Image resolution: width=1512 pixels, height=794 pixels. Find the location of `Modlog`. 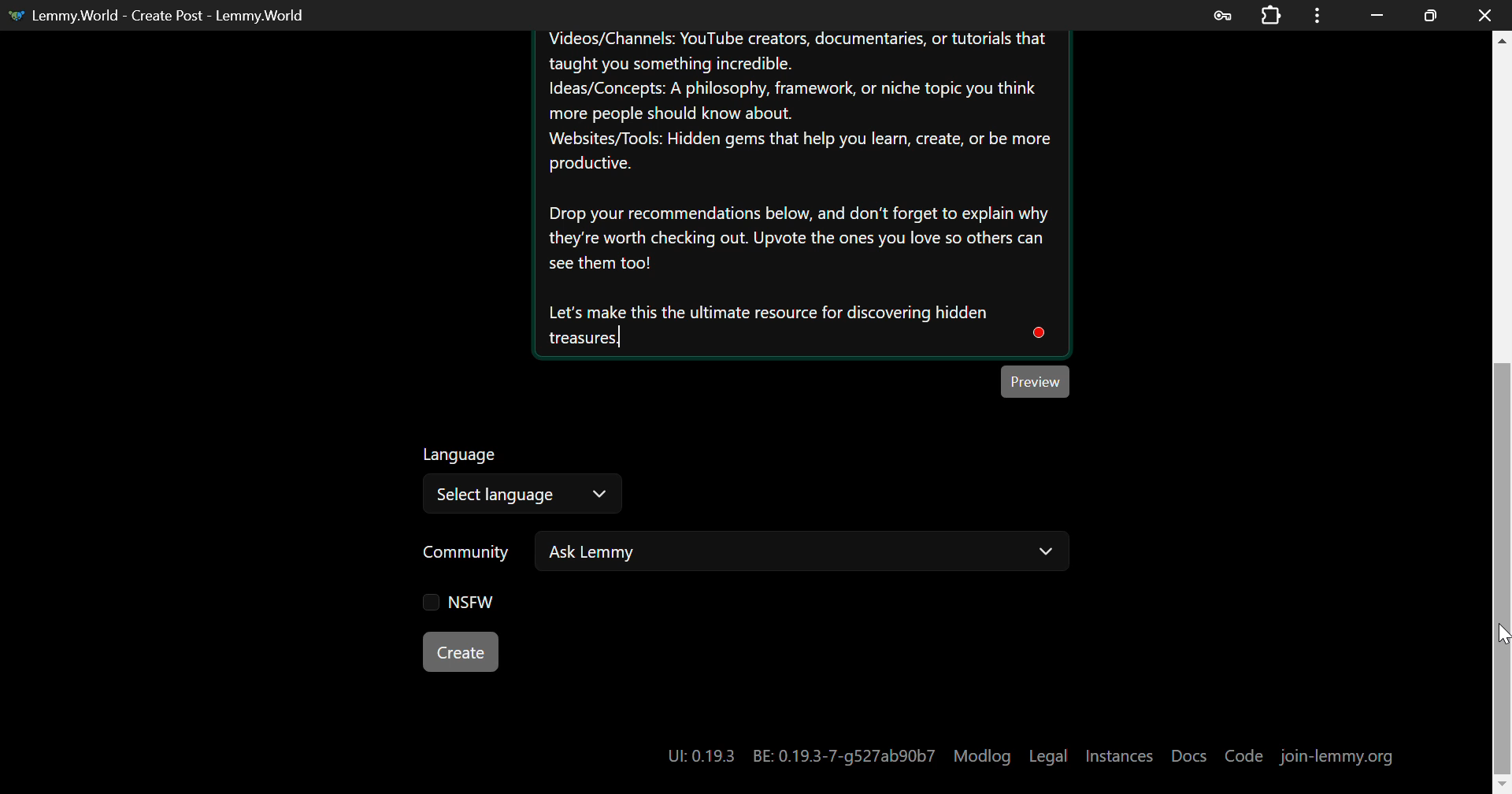

Modlog is located at coordinates (982, 756).